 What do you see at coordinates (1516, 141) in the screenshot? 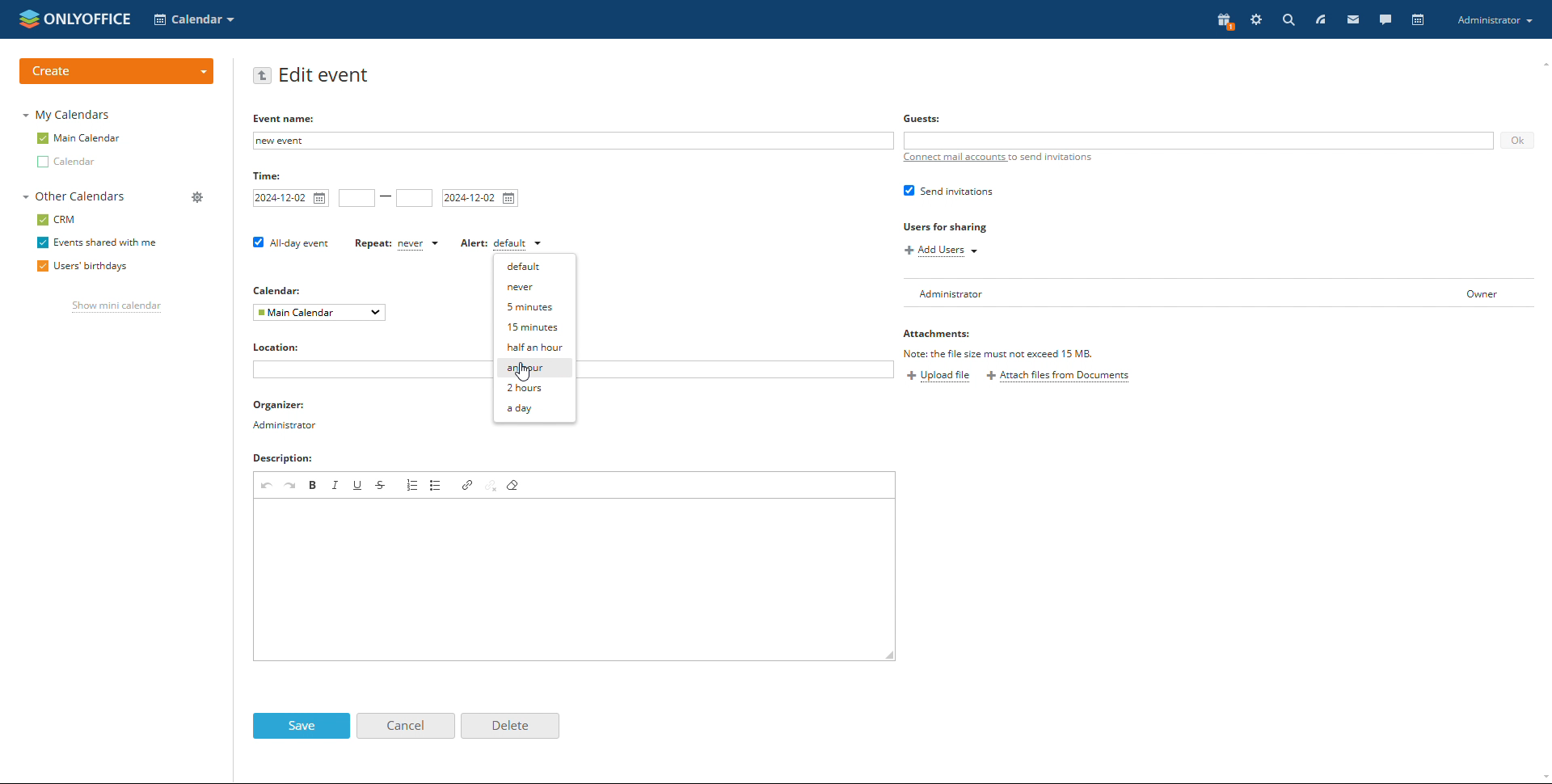
I see `ok` at bounding box center [1516, 141].